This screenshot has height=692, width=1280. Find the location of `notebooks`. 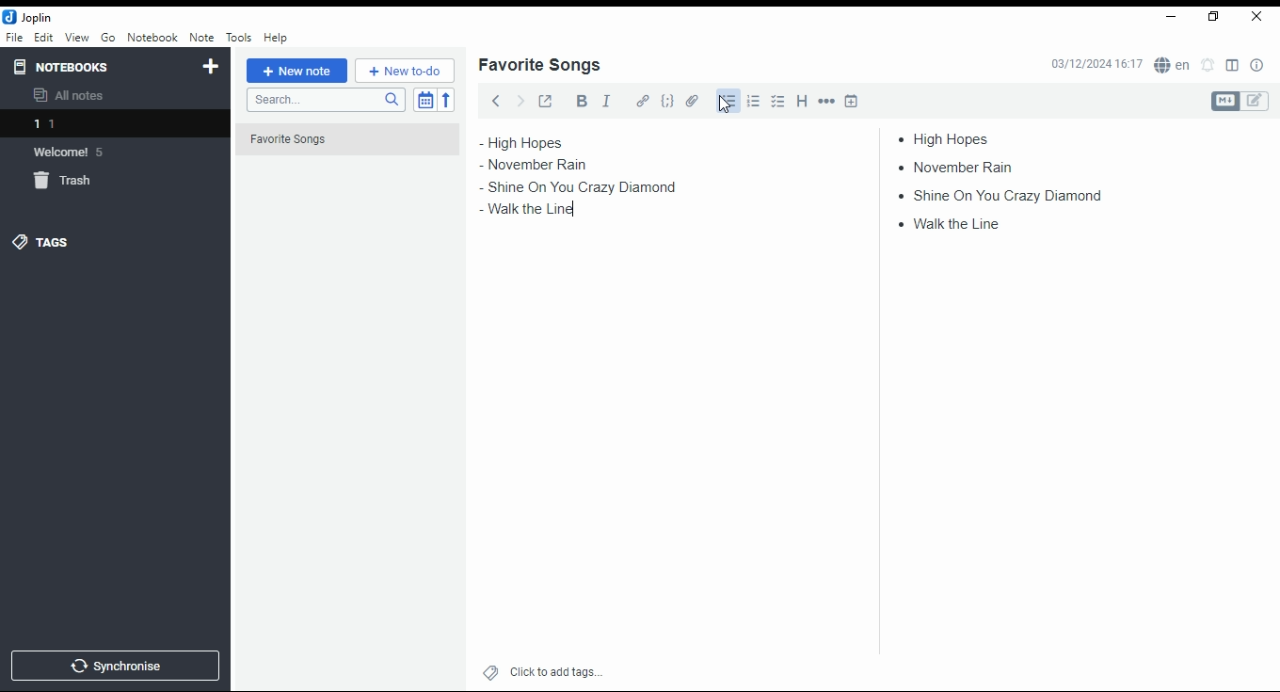

notebooks is located at coordinates (97, 66).